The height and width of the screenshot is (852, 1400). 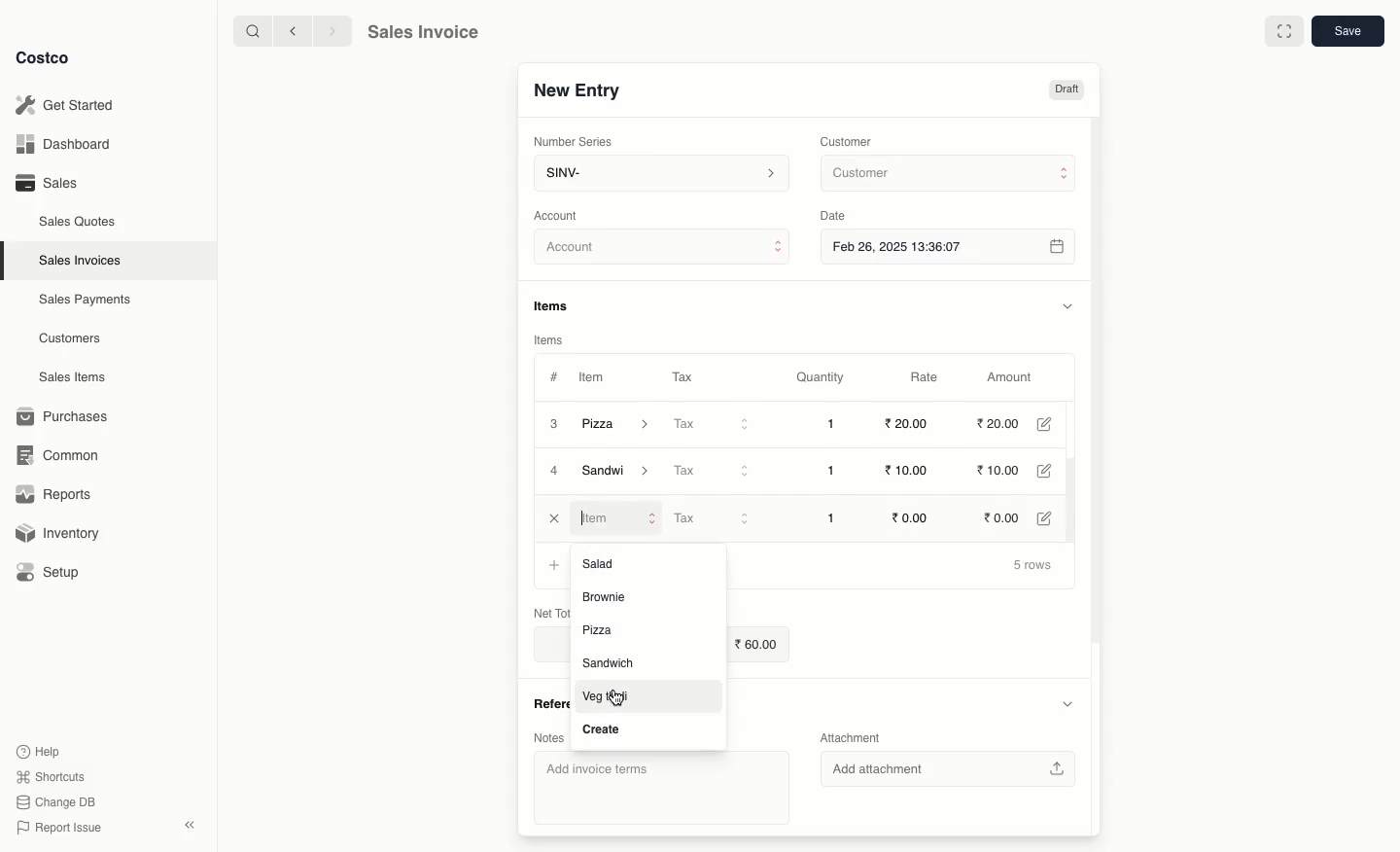 What do you see at coordinates (64, 104) in the screenshot?
I see `Get Started` at bounding box center [64, 104].